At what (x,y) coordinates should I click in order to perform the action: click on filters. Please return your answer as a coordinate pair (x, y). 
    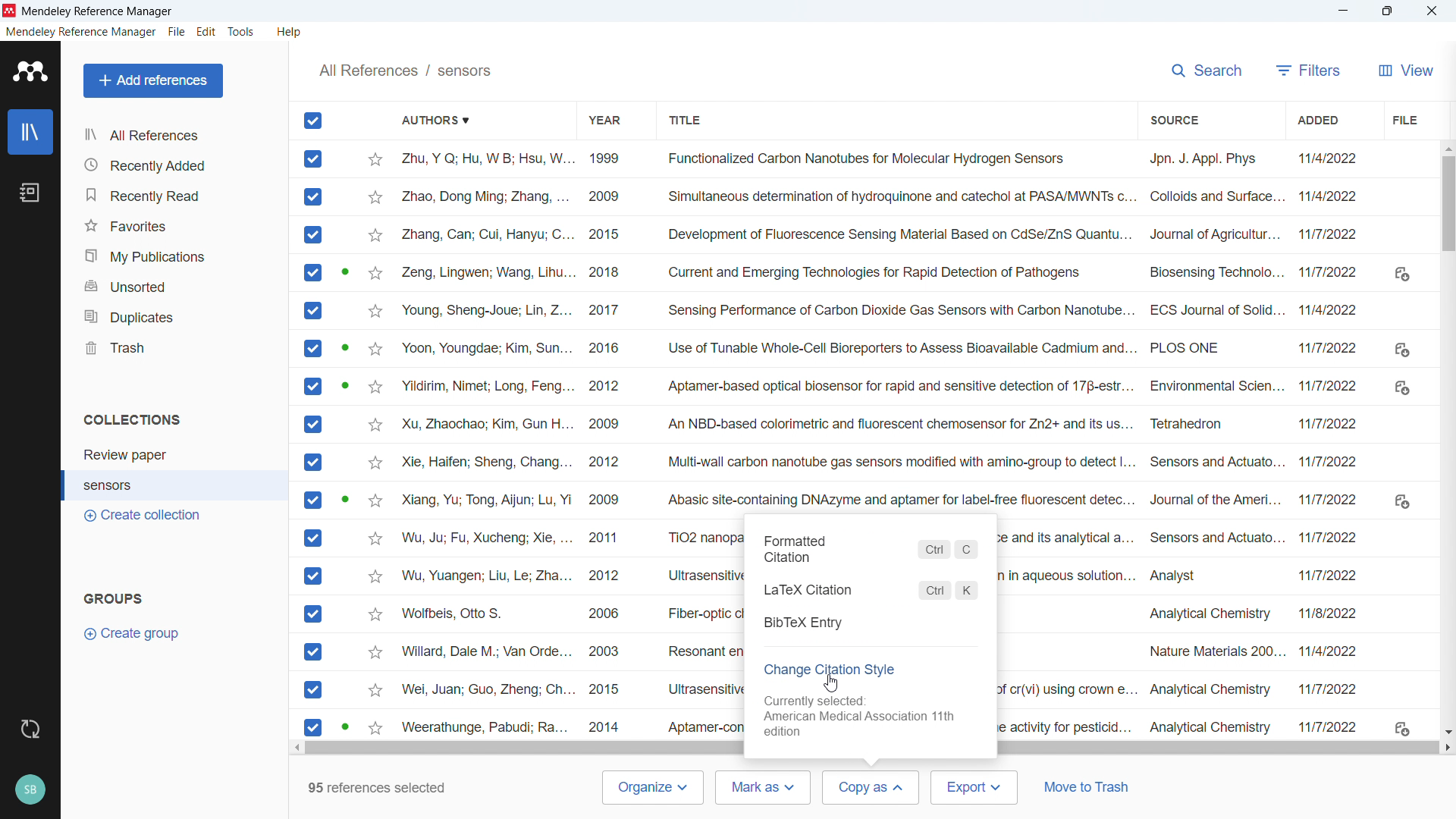
    Looking at the image, I should click on (1309, 71).